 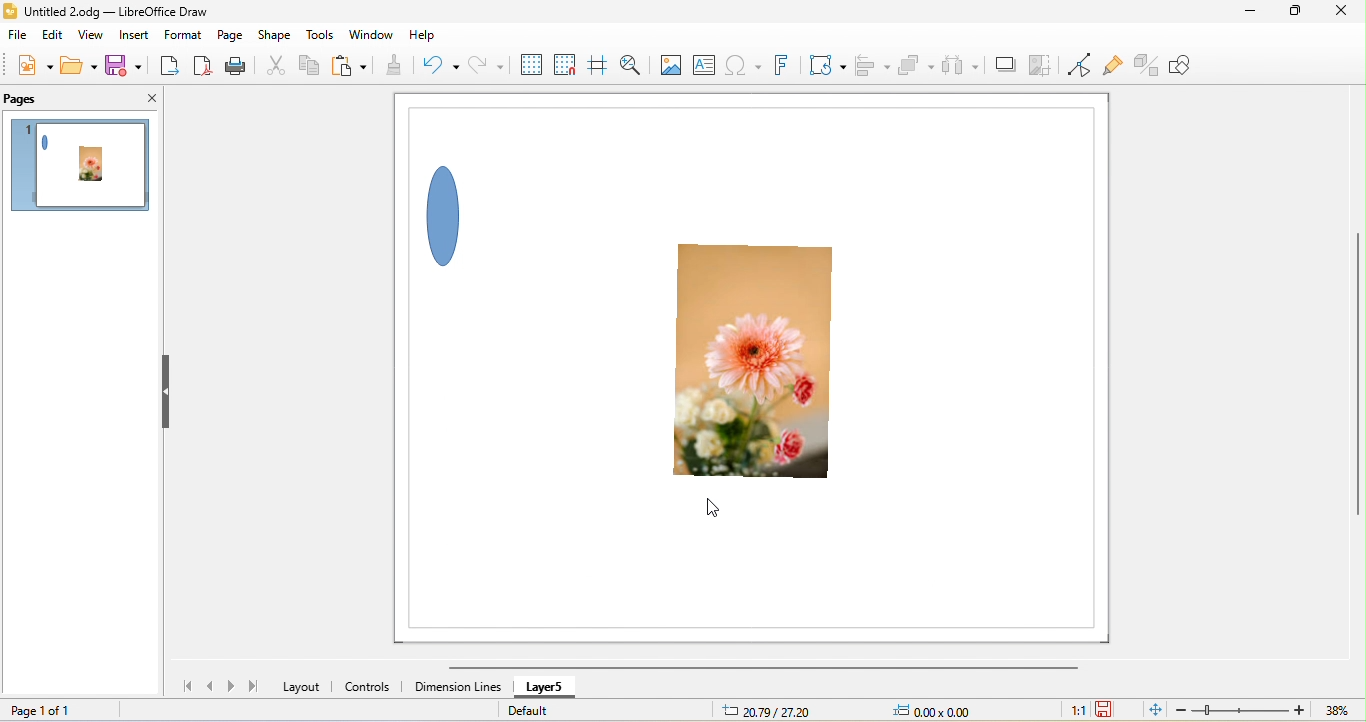 What do you see at coordinates (1181, 709) in the screenshot?
I see `zoom out` at bounding box center [1181, 709].